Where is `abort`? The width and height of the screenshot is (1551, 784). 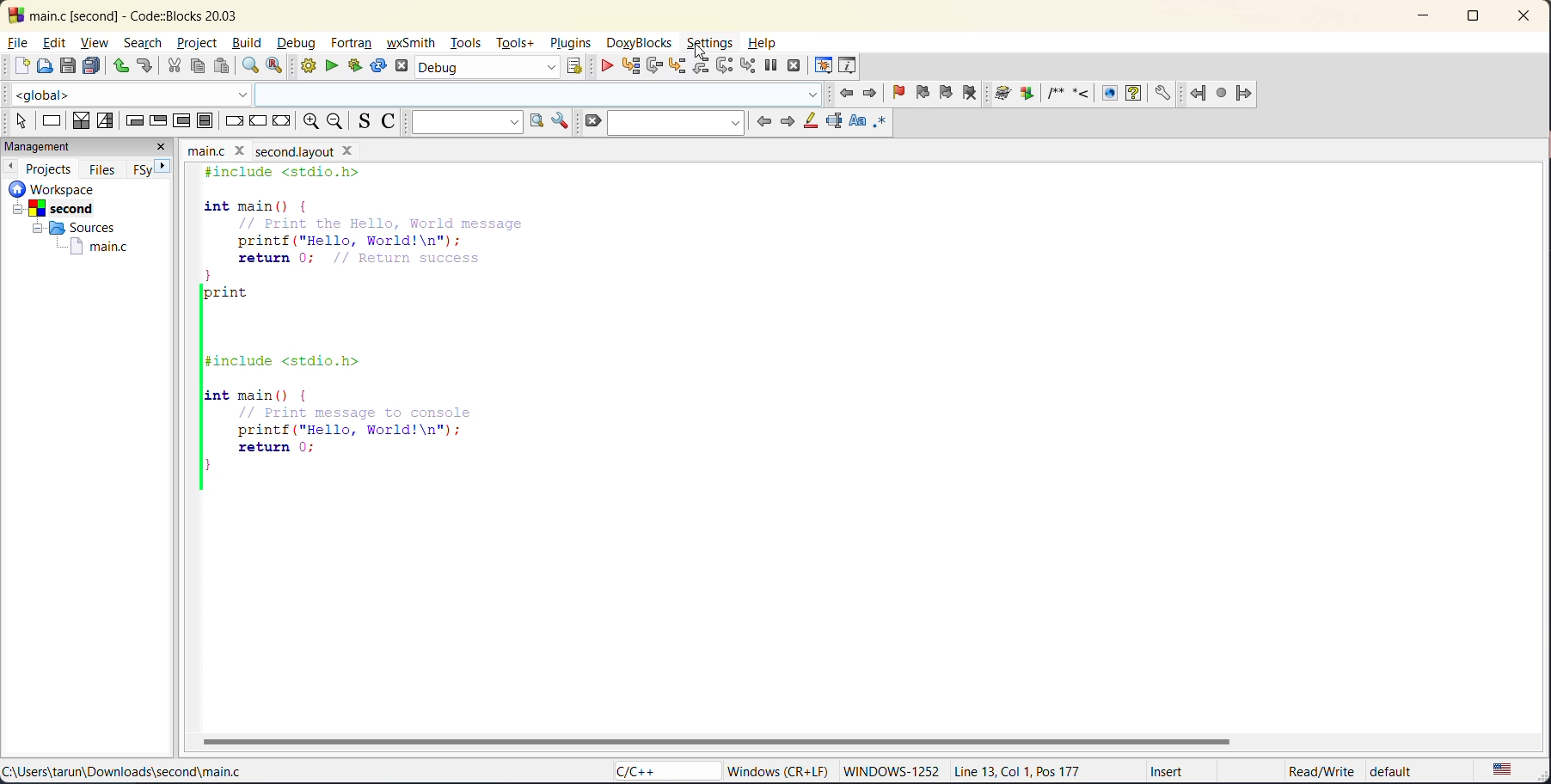
abort is located at coordinates (405, 67).